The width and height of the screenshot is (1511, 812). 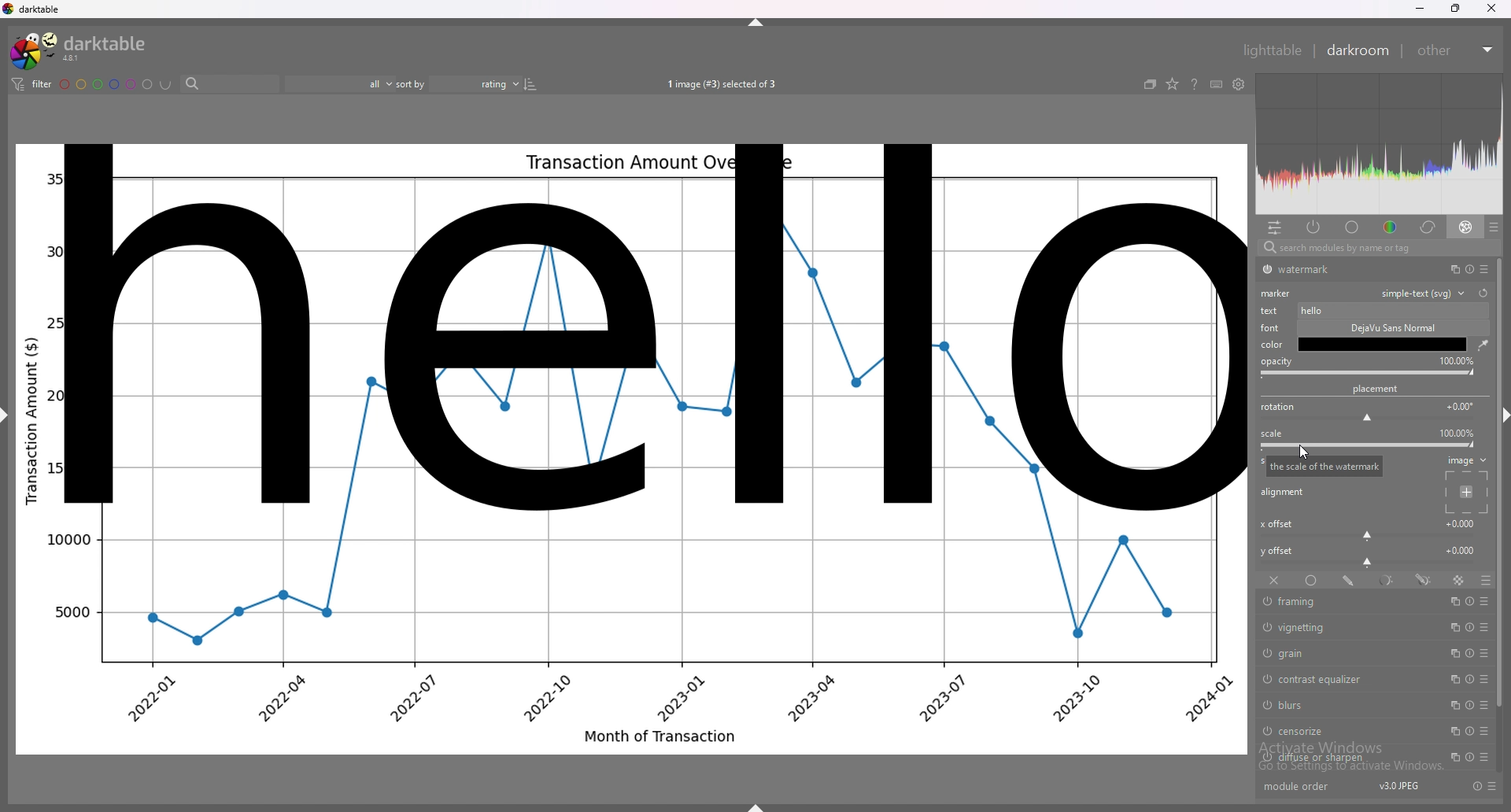 What do you see at coordinates (1484, 580) in the screenshot?
I see `blending options` at bounding box center [1484, 580].